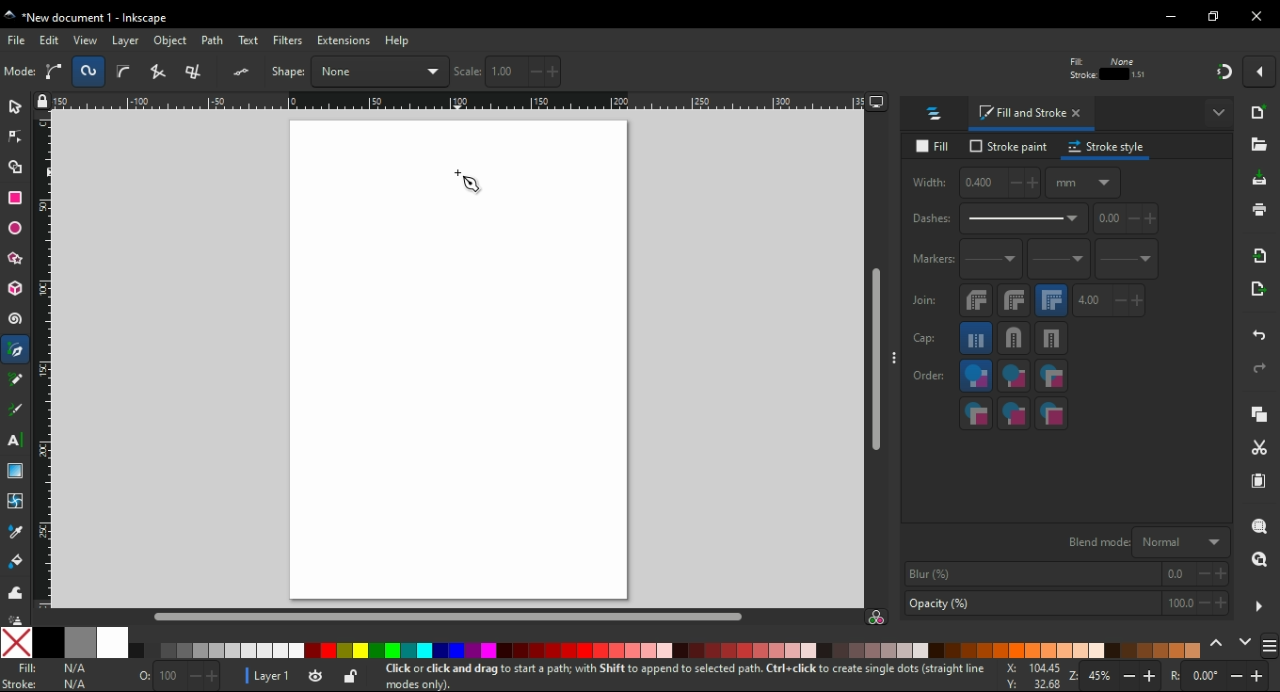 The height and width of the screenshot is (692, 1280). Describe the element at coordinates (1104, 72) in the screenshot. I see `when scaling rectangles, scale the radii of rounded corners` at that location.